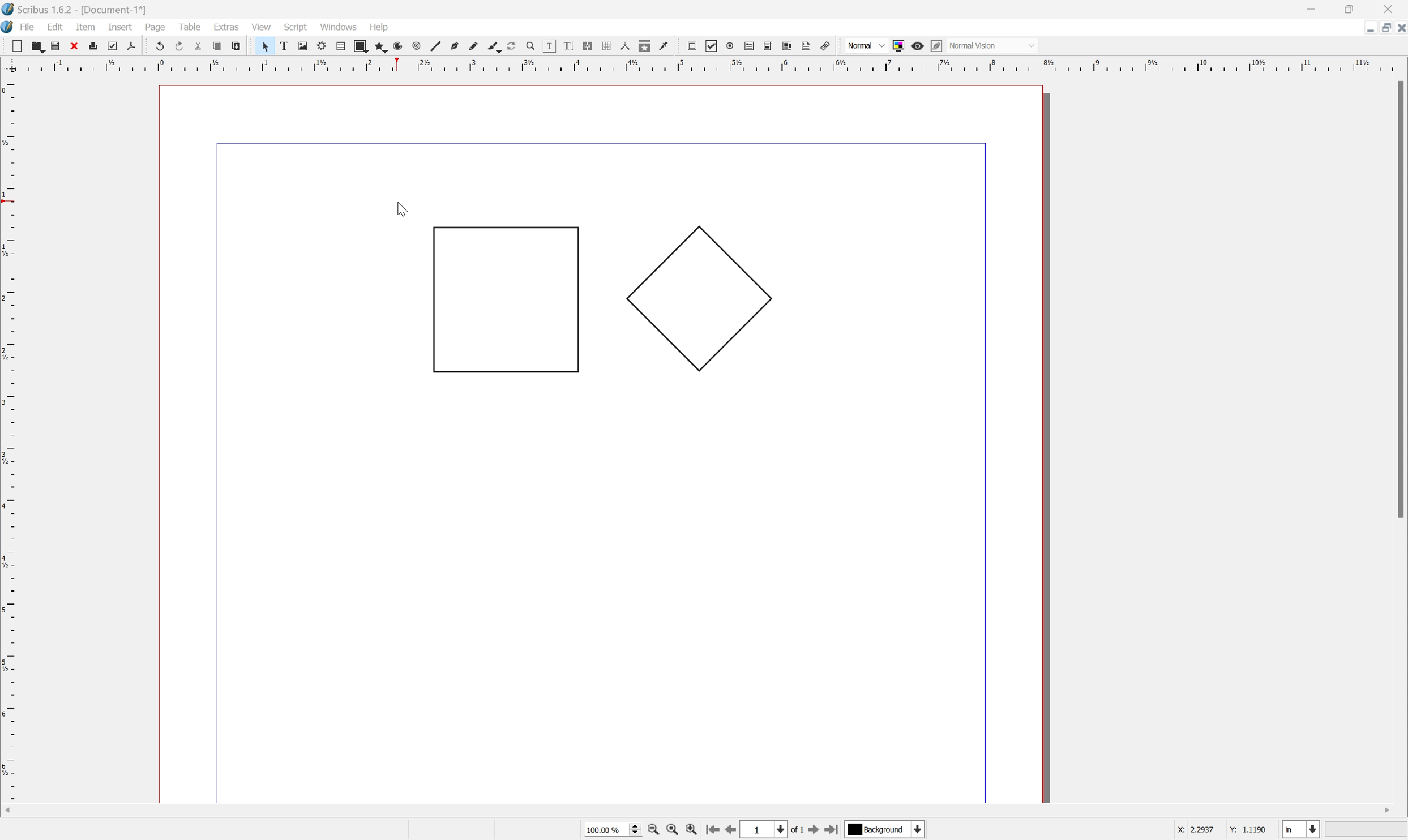  What do you see at coordinates (547, 46) in the screenshot?
I see `edit contents of frame` at bounding box center [547, 46].